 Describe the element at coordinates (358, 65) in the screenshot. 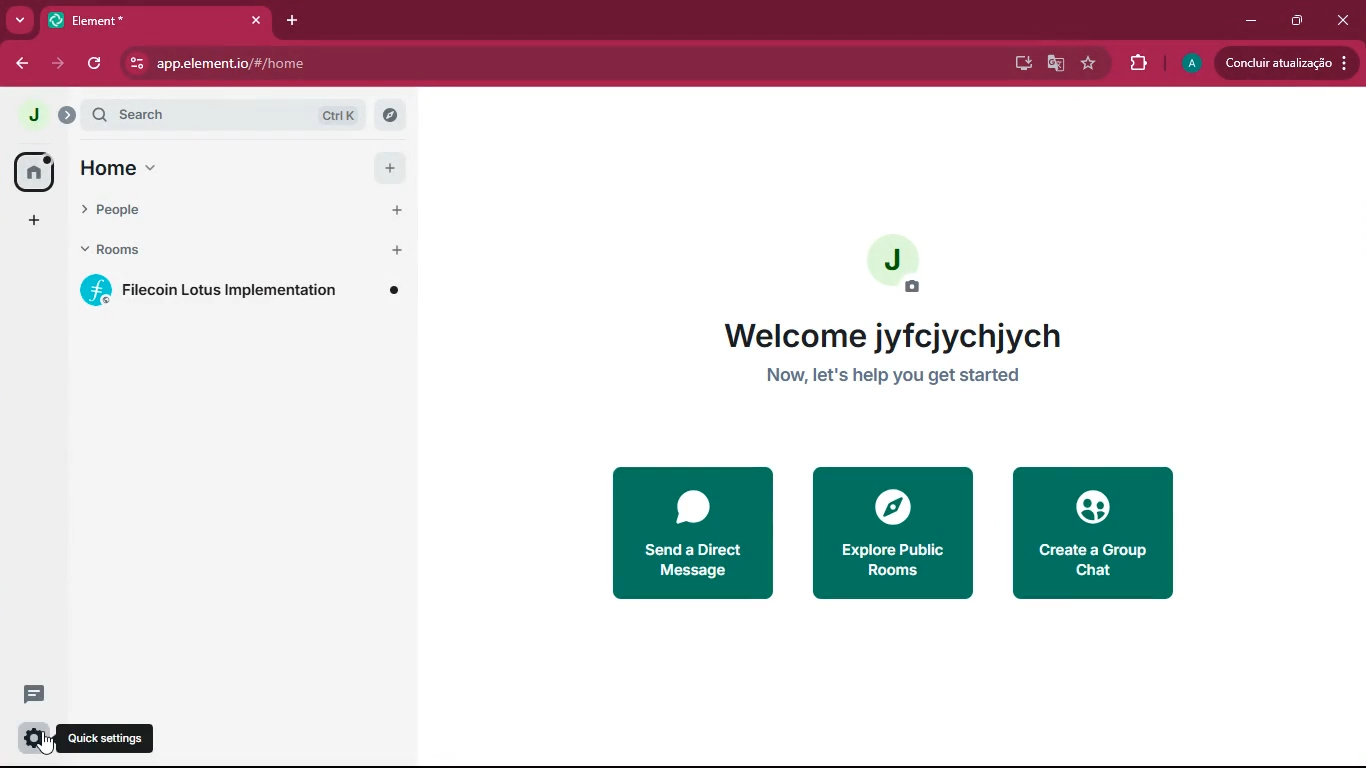

I see `app.element.io/#/home` at that location.